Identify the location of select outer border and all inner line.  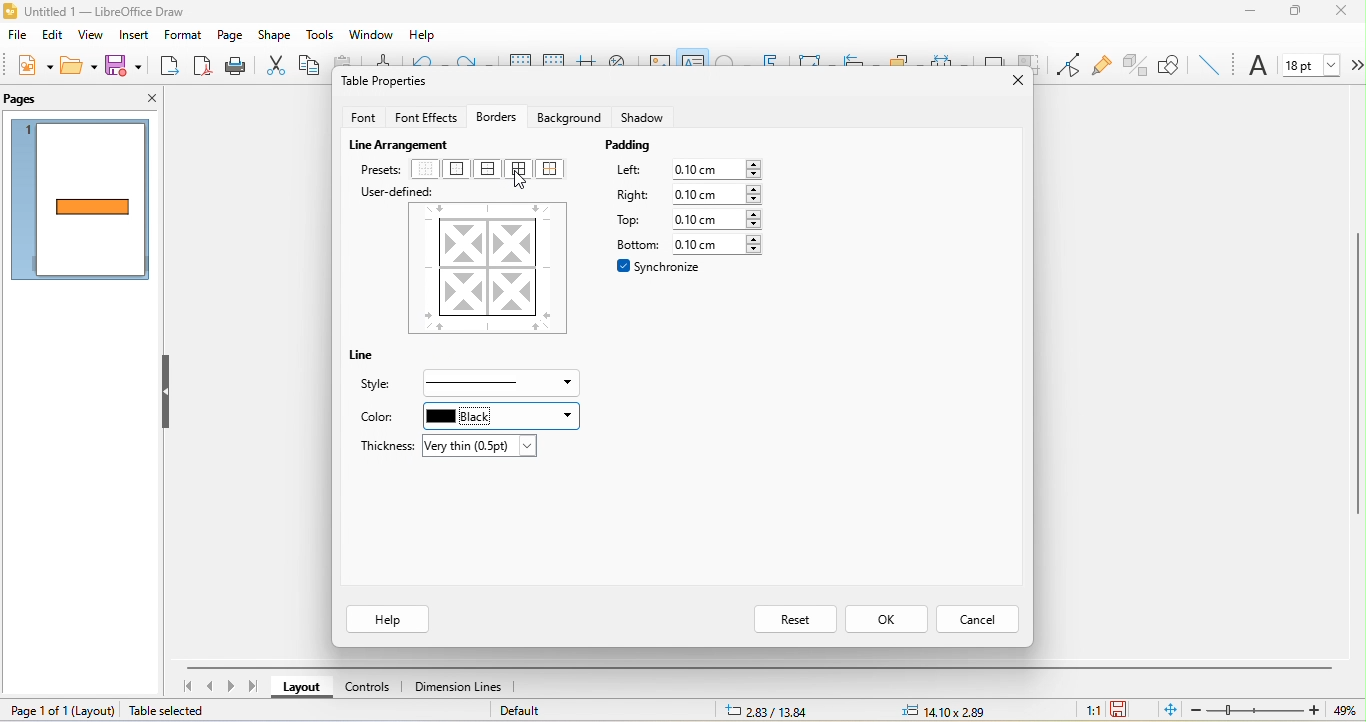
(518, 174).